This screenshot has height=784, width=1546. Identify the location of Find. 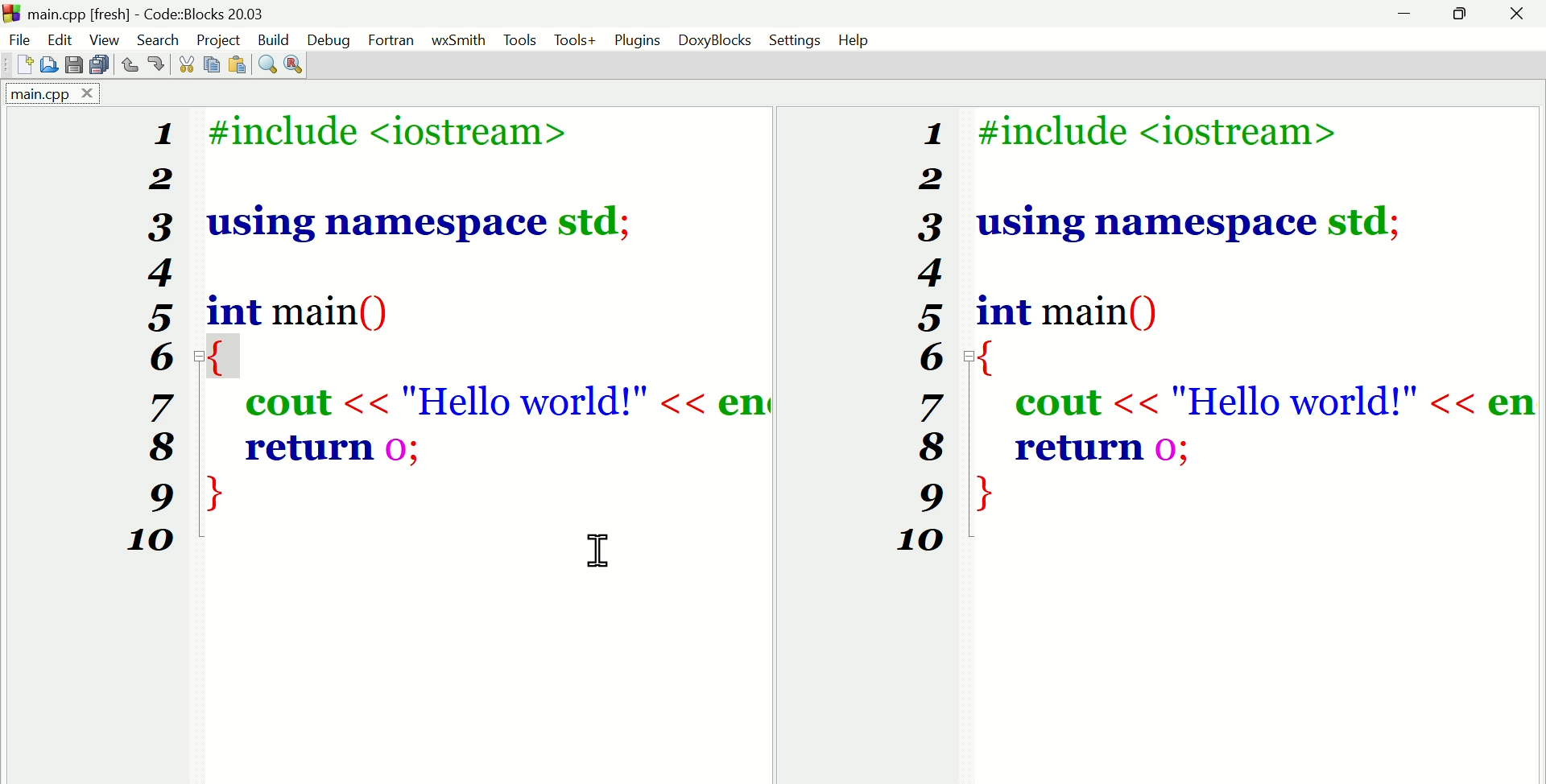
(267, 62).